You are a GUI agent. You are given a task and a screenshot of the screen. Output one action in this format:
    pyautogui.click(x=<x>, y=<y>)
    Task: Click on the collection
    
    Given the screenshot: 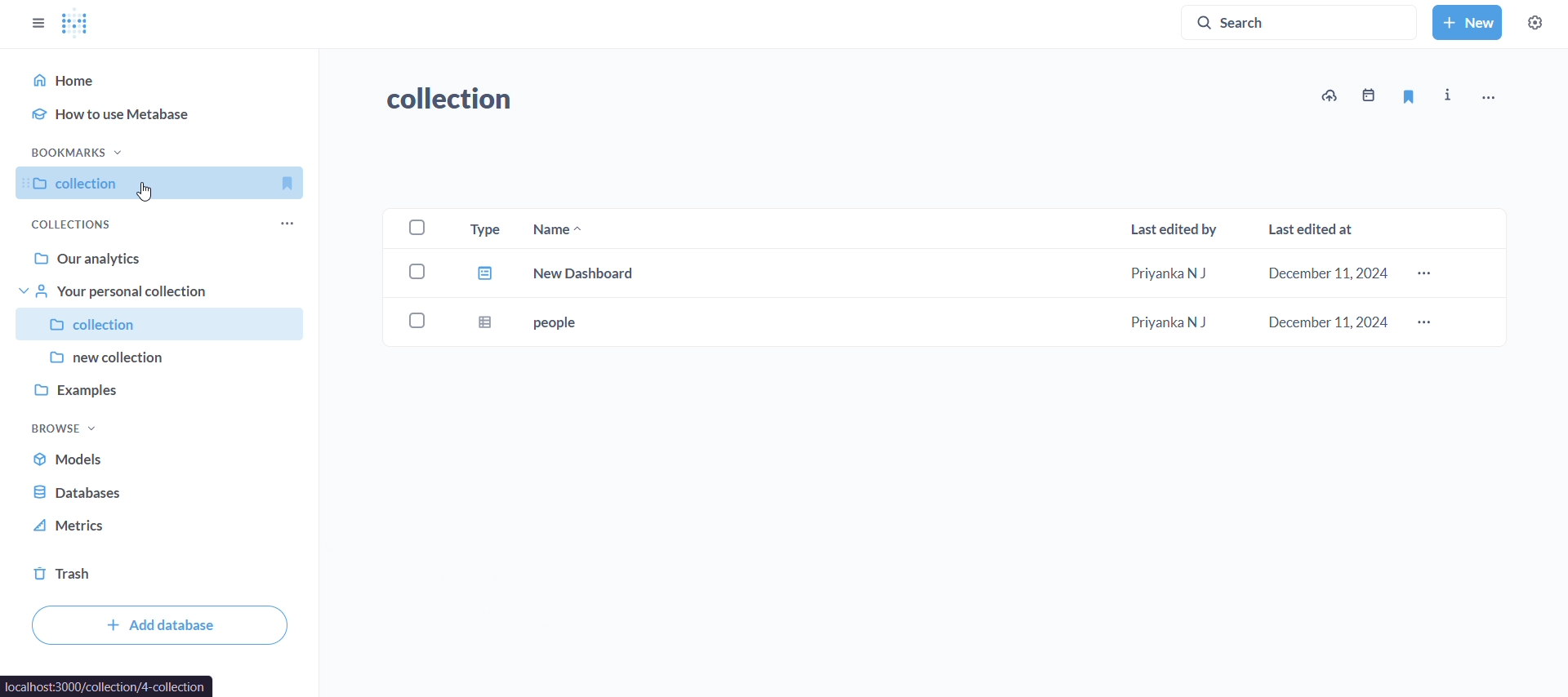 What is the action you would take?
    pyautogui.click(x=163, y=322)
    